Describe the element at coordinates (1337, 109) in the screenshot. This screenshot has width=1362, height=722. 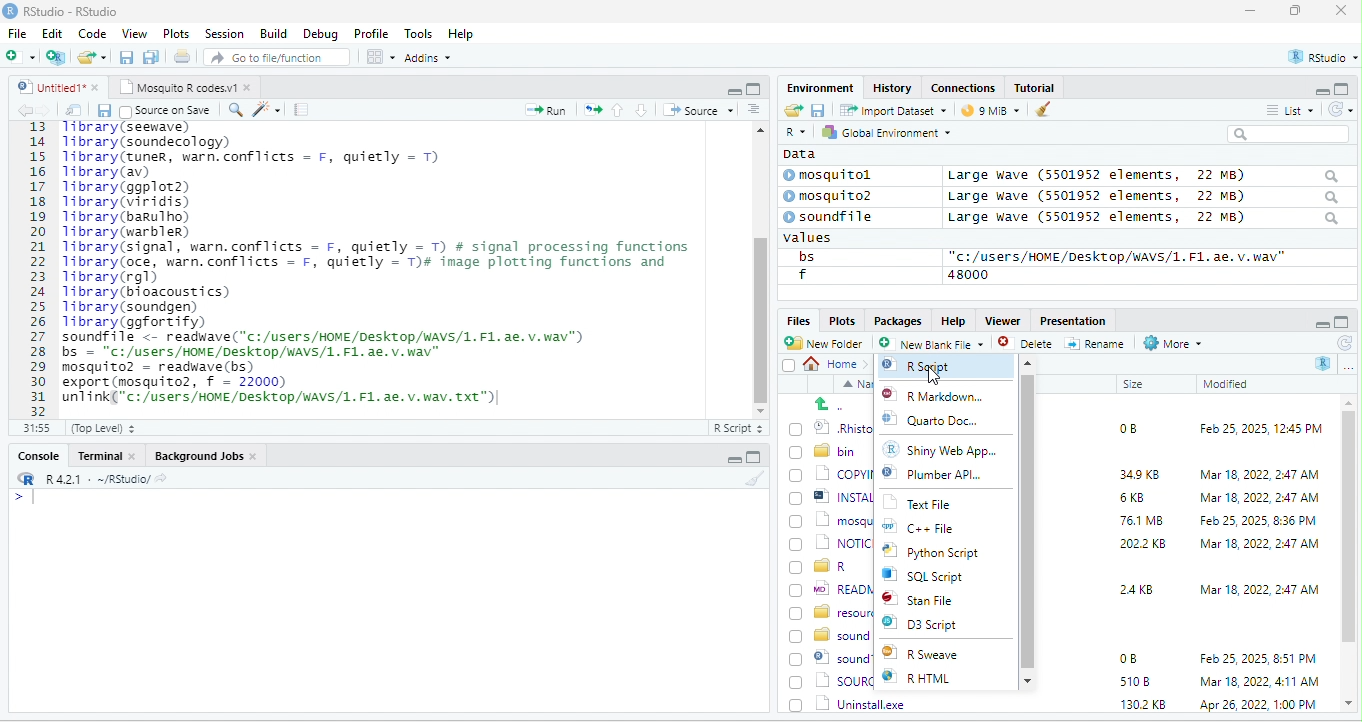
I see `refresh` at that location.